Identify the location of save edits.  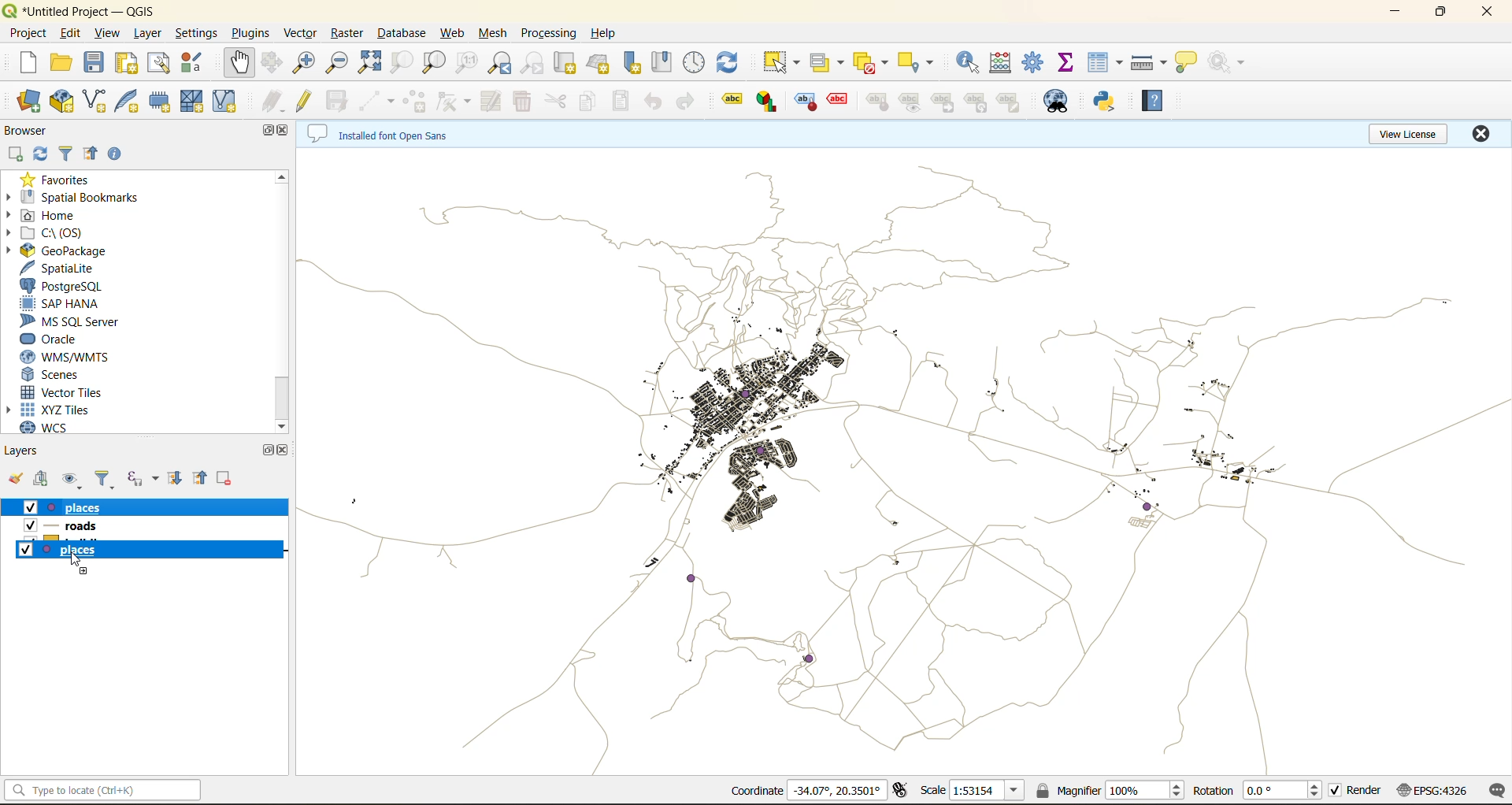
(333, 105).